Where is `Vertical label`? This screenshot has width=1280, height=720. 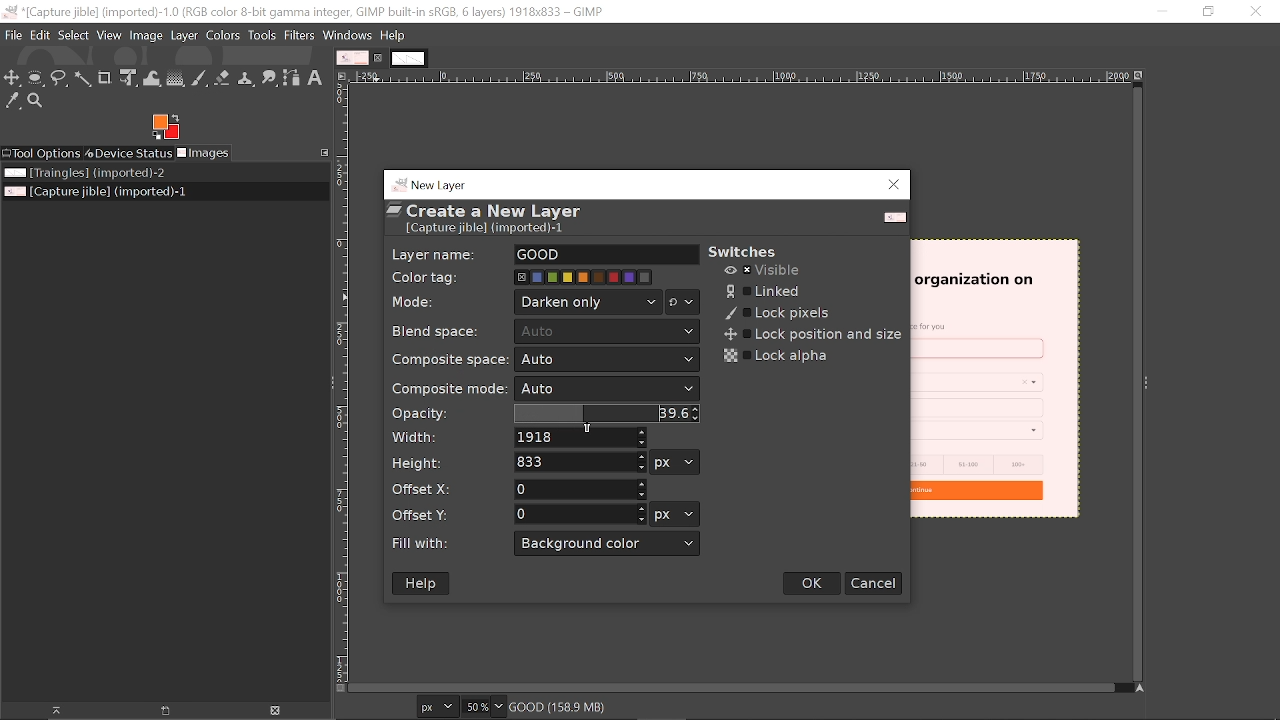 Vertical label is located at coordinates (342, 383).